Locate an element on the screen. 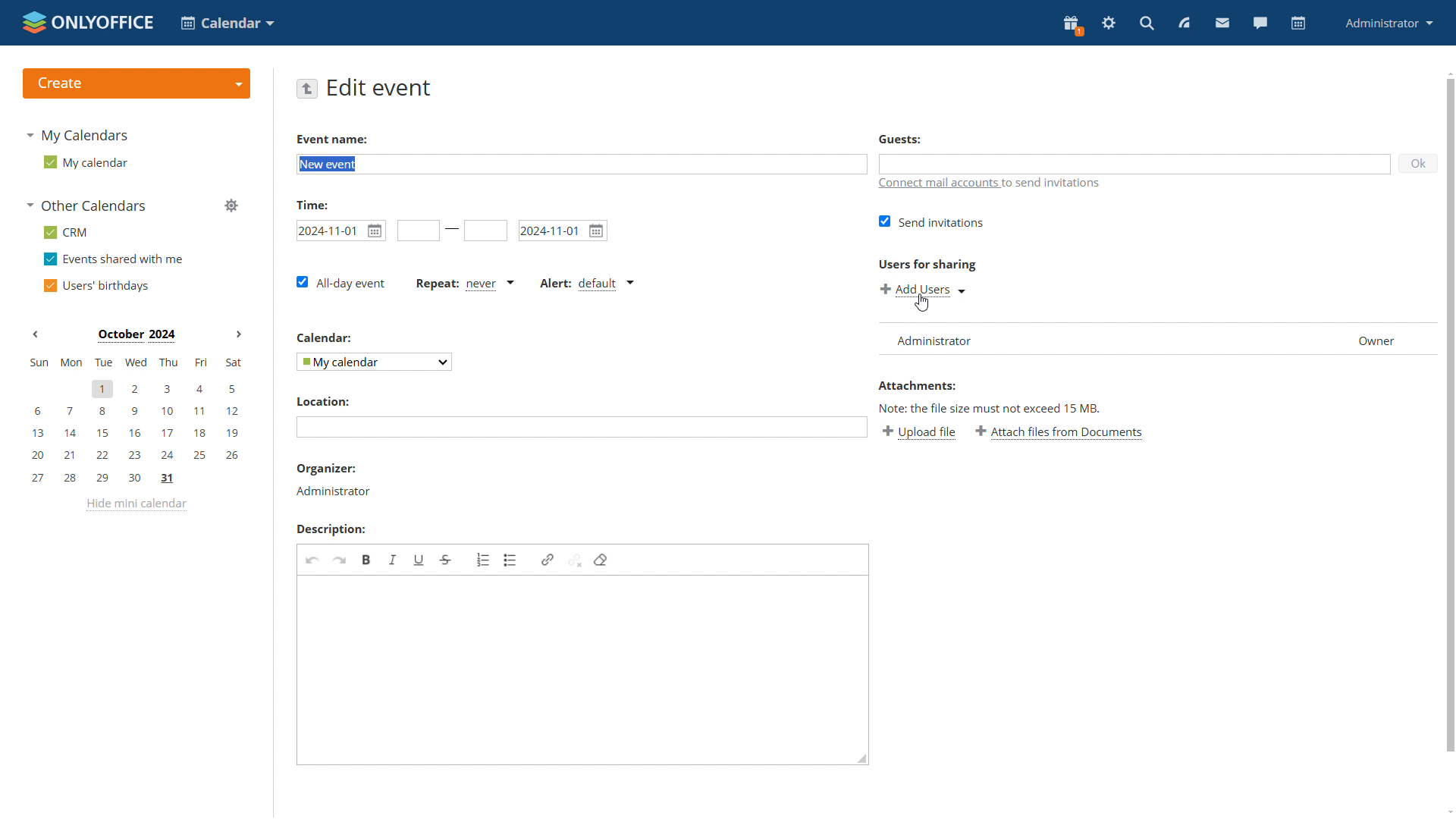  bold is located at coordinates (366, 560).